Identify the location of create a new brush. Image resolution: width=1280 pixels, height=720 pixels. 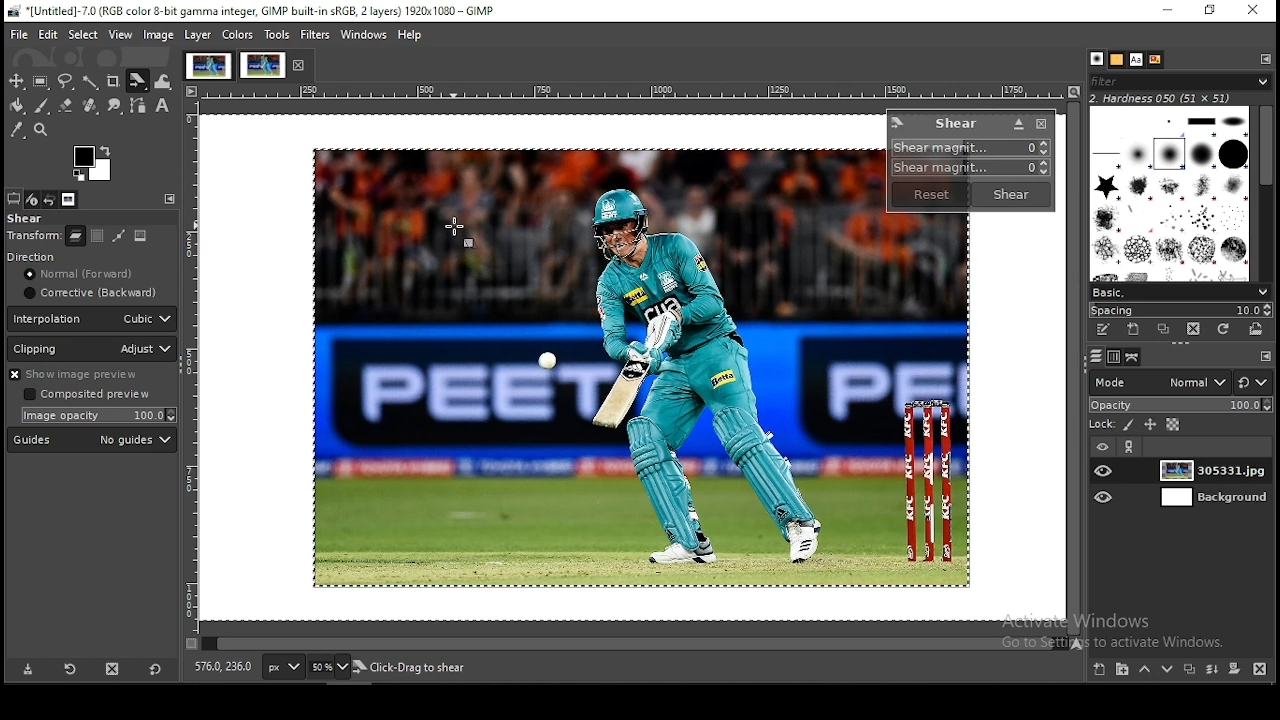
(1132, 329).